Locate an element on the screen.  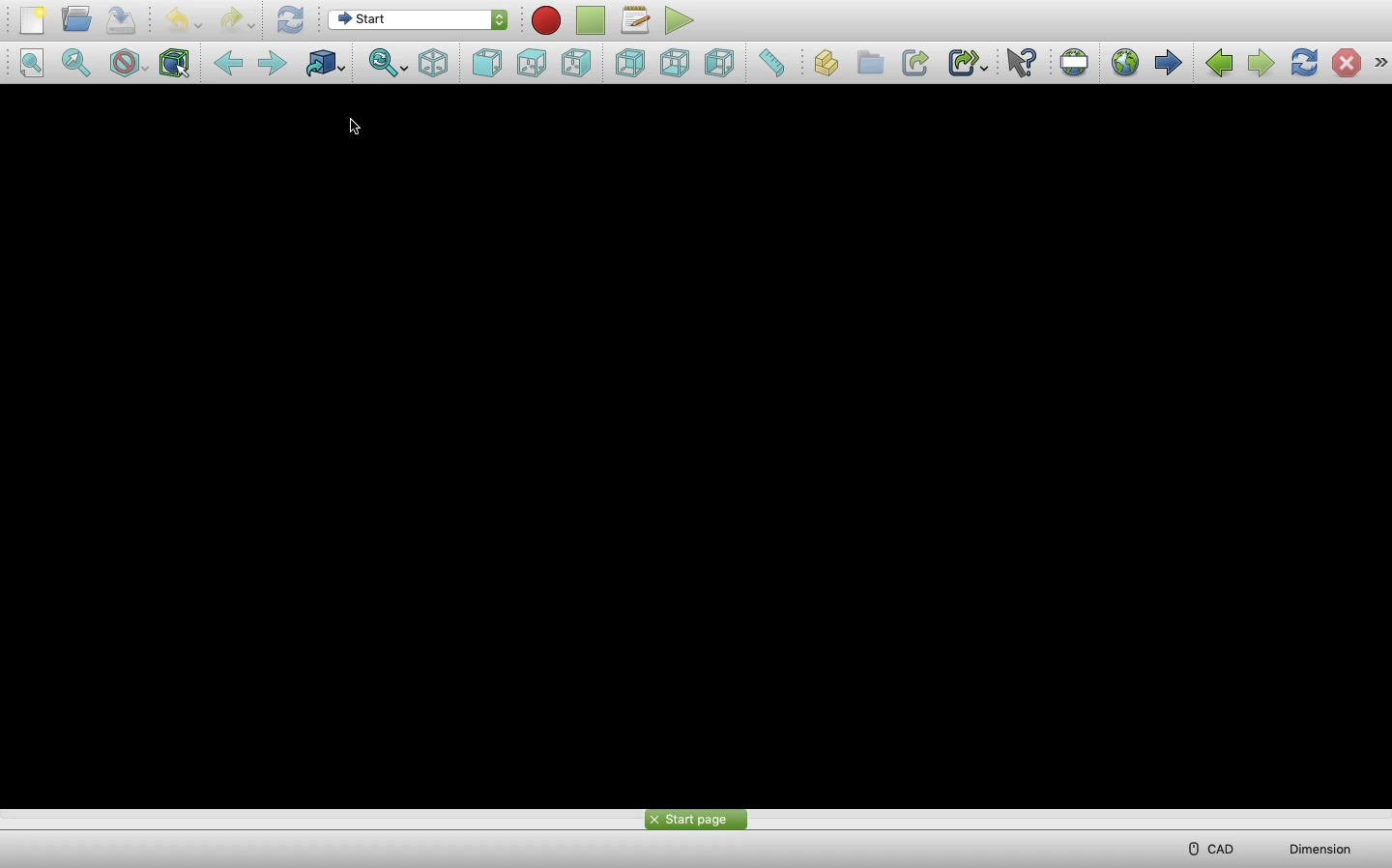
Backward Navigation is located at coordinates (1220, 63).